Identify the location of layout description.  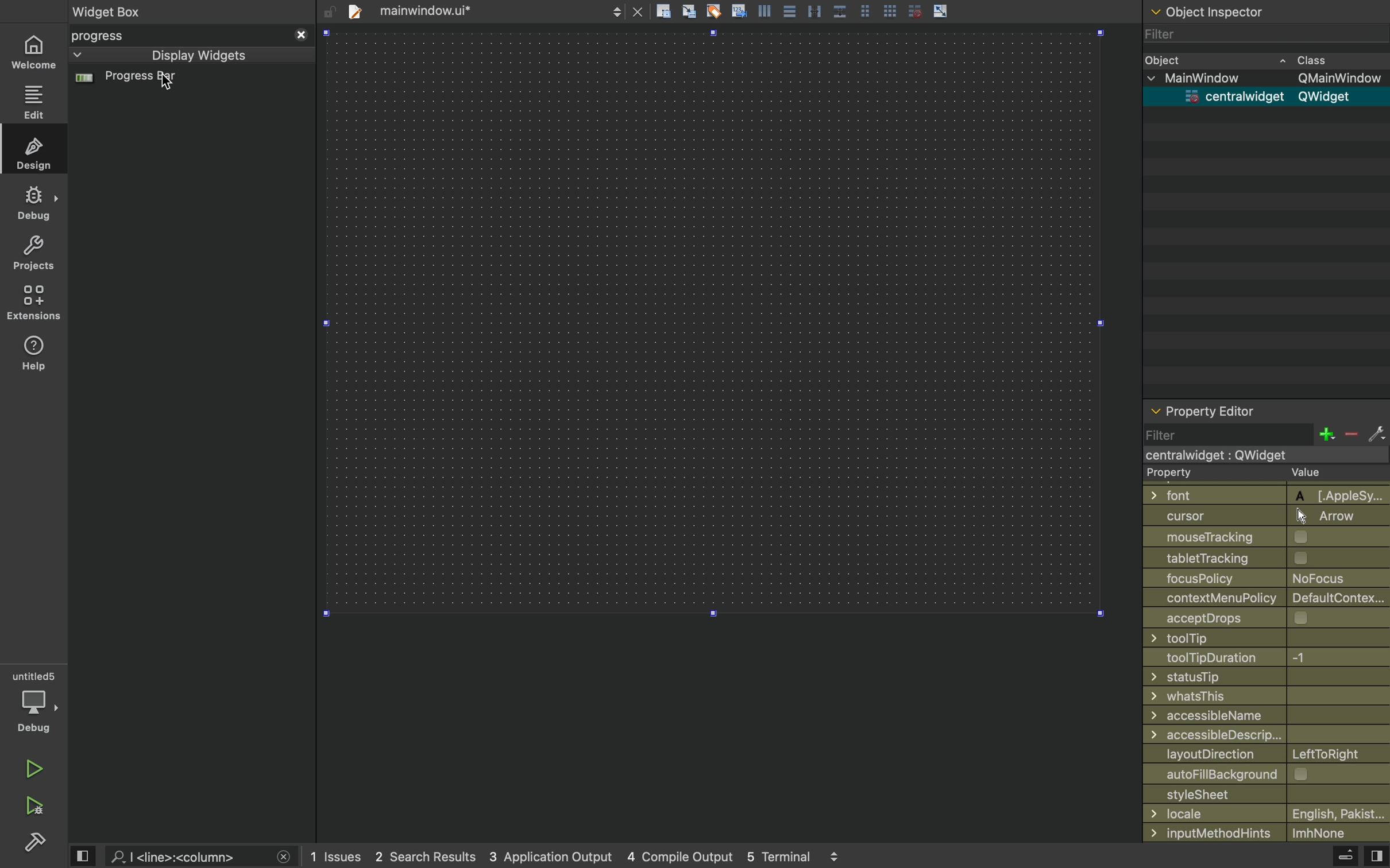
(1263, 754).